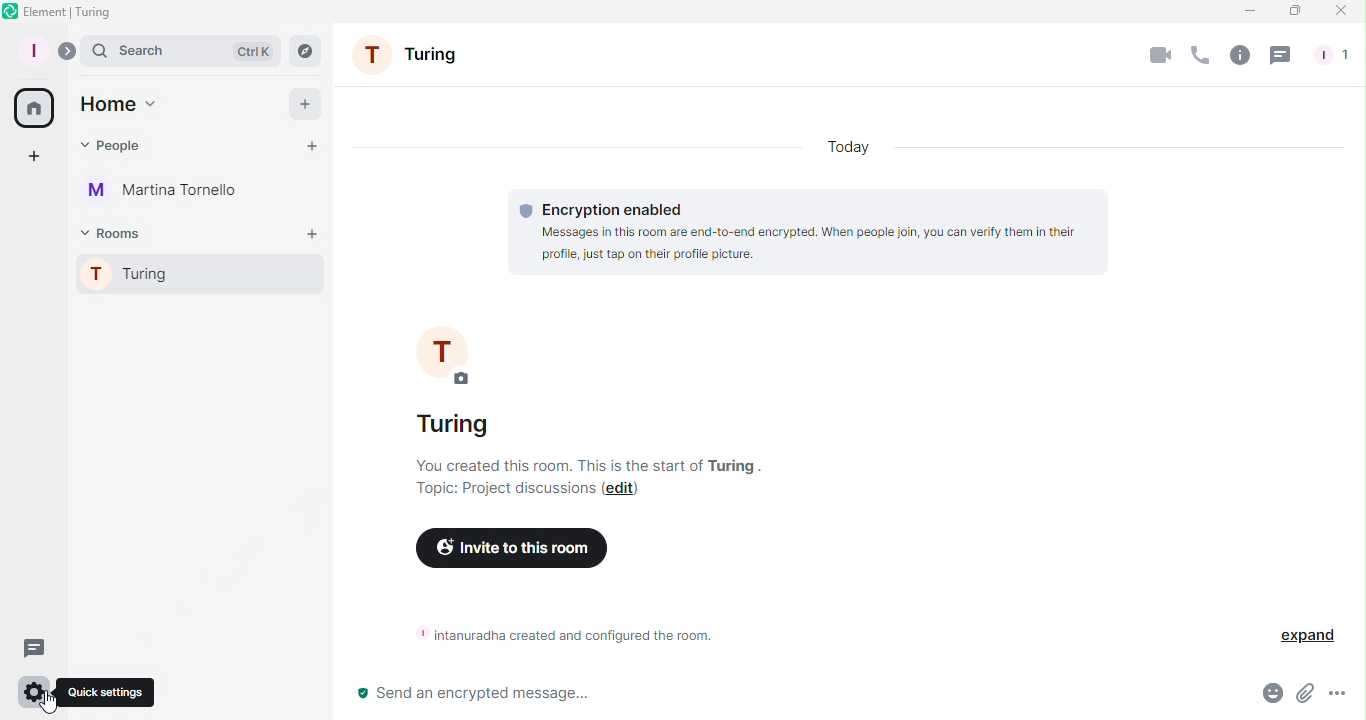 Image resolution: width=1366 pixels, height=720 pixels. I want to click on turing, so click(456, 424).